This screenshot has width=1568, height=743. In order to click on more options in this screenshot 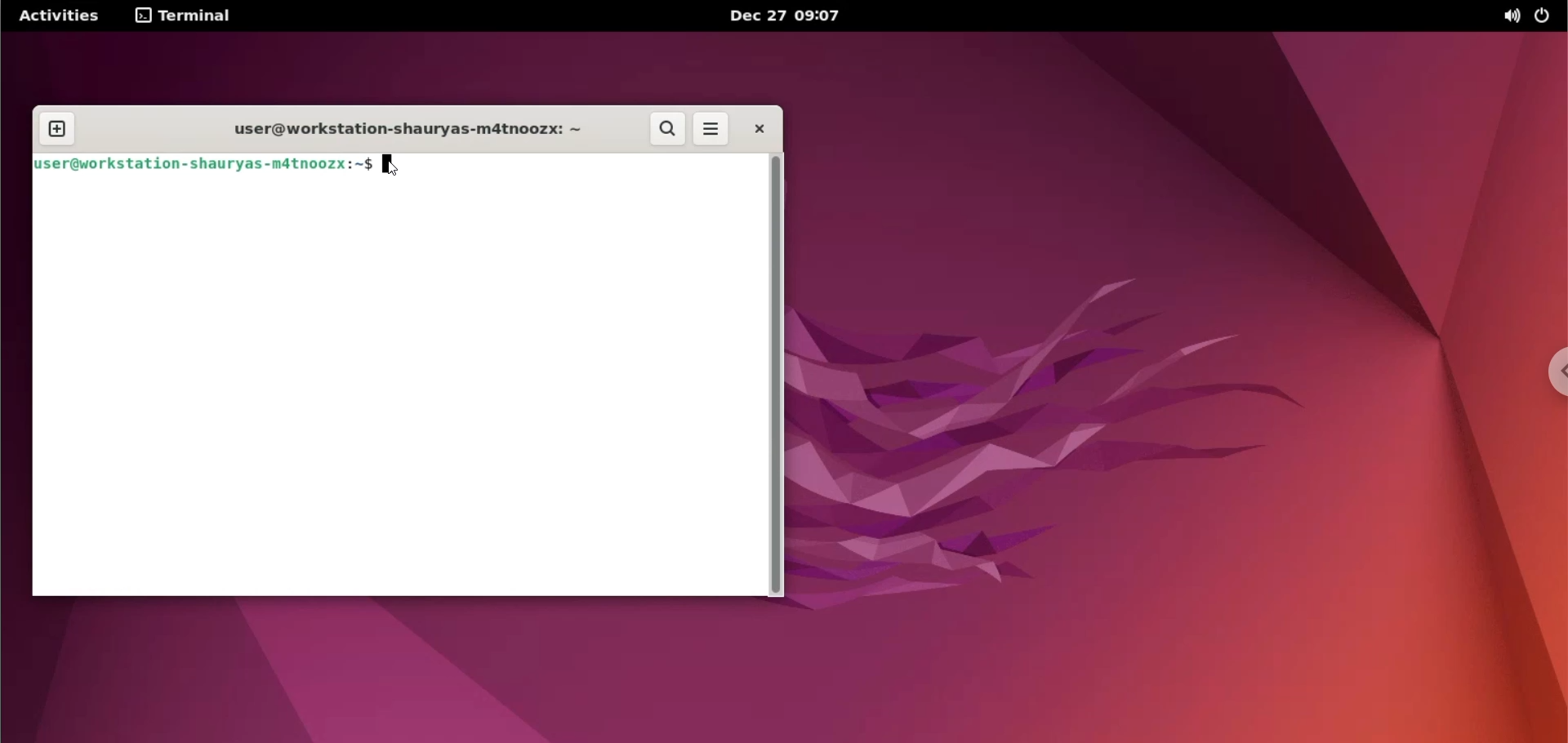, I will do `click(710, 128)`.